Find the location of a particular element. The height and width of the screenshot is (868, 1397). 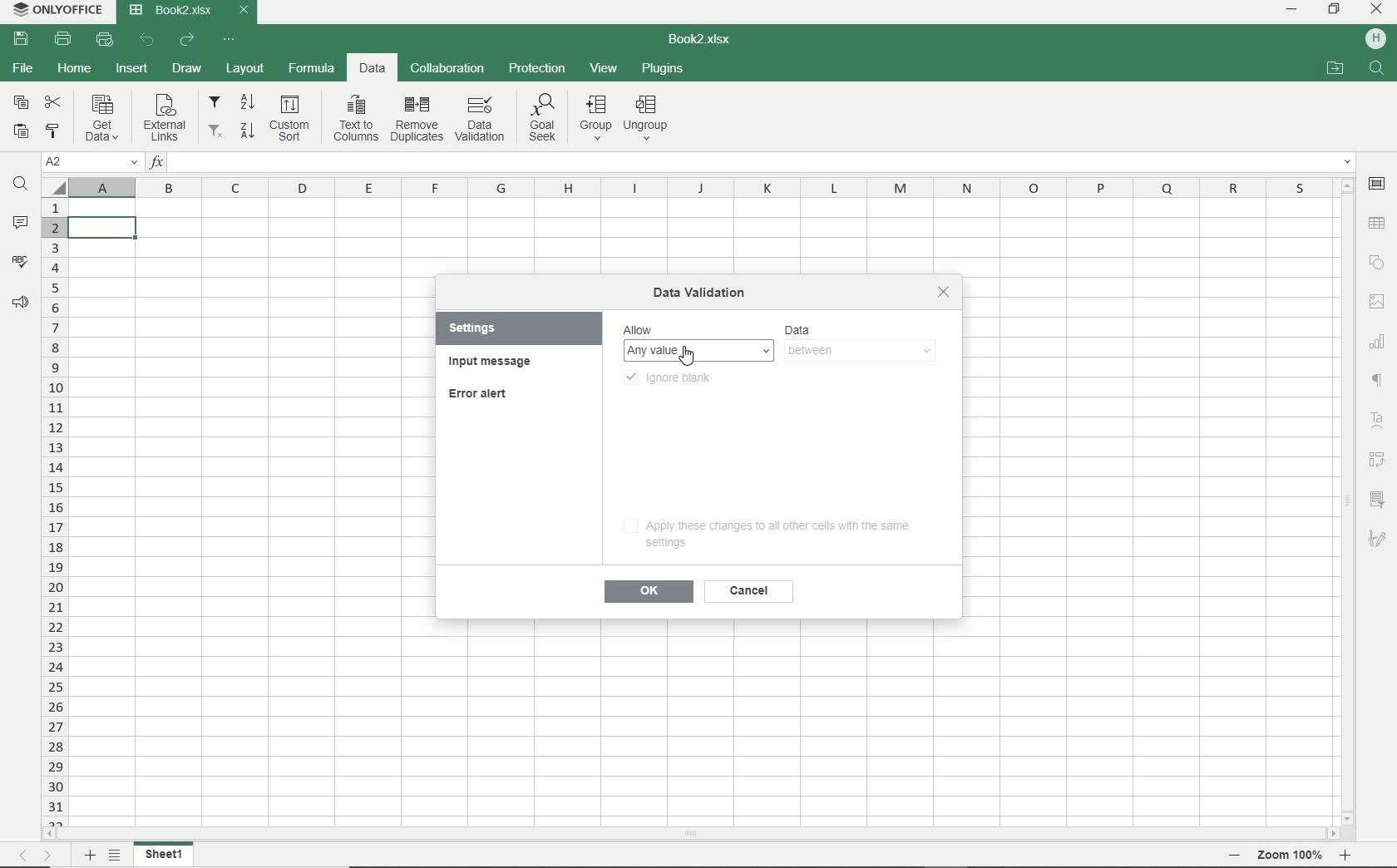

CLOSE TAB is located at coordinates (244, 10).